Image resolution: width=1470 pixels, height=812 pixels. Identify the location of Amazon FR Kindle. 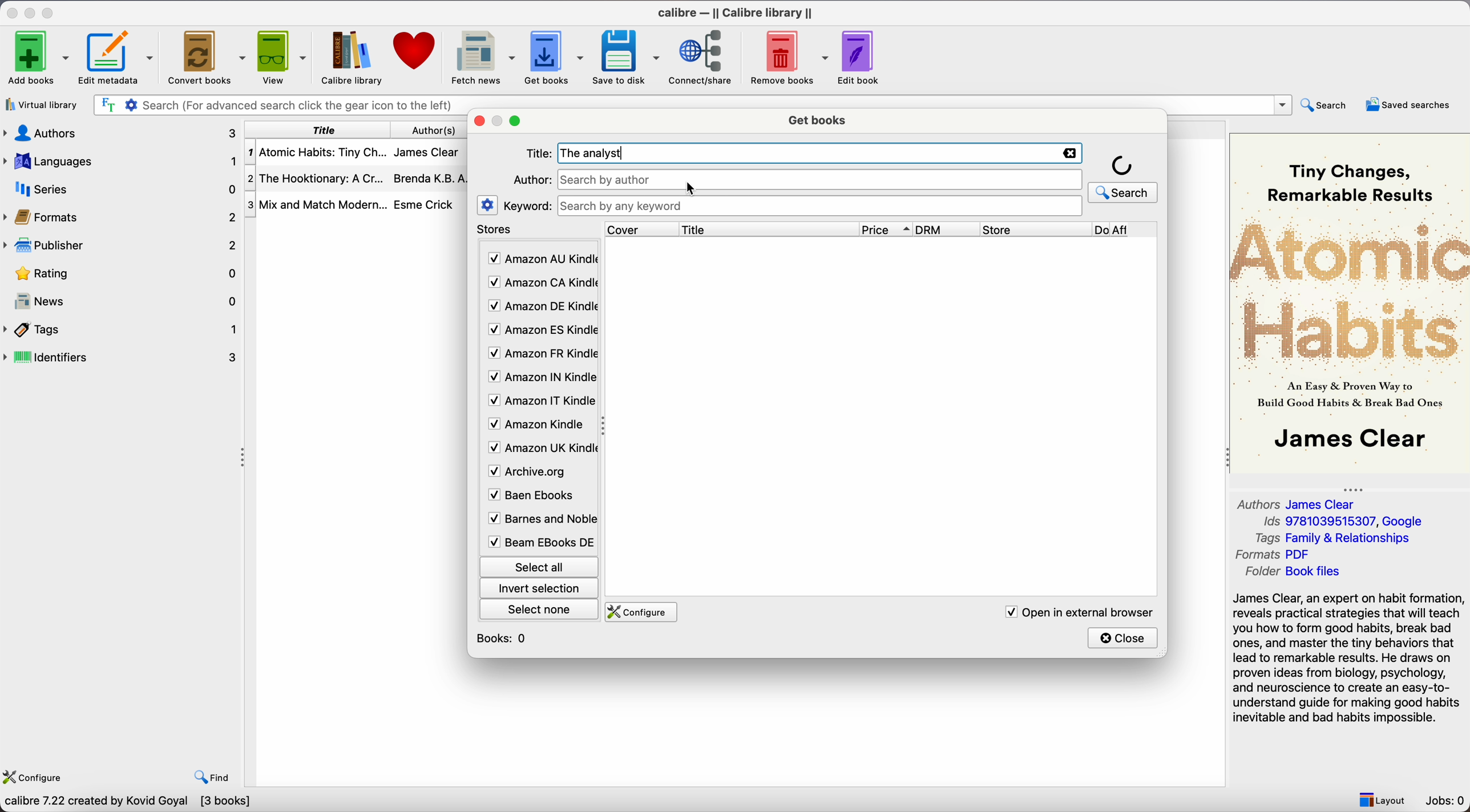
(540, 355).